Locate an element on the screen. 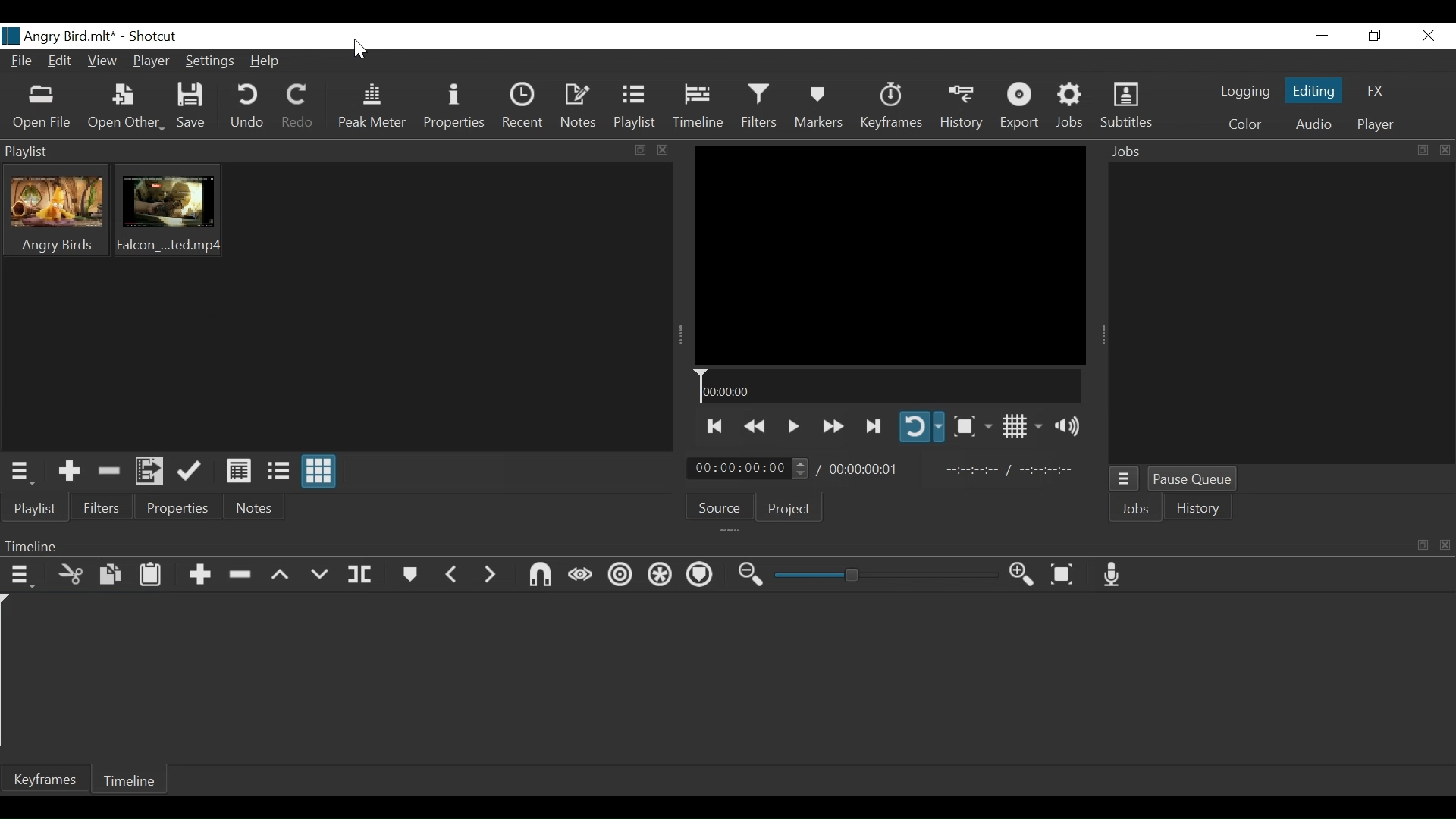 This screenshot has height=819, width=1456. Zoom slider is located at coordinates (885, 575).